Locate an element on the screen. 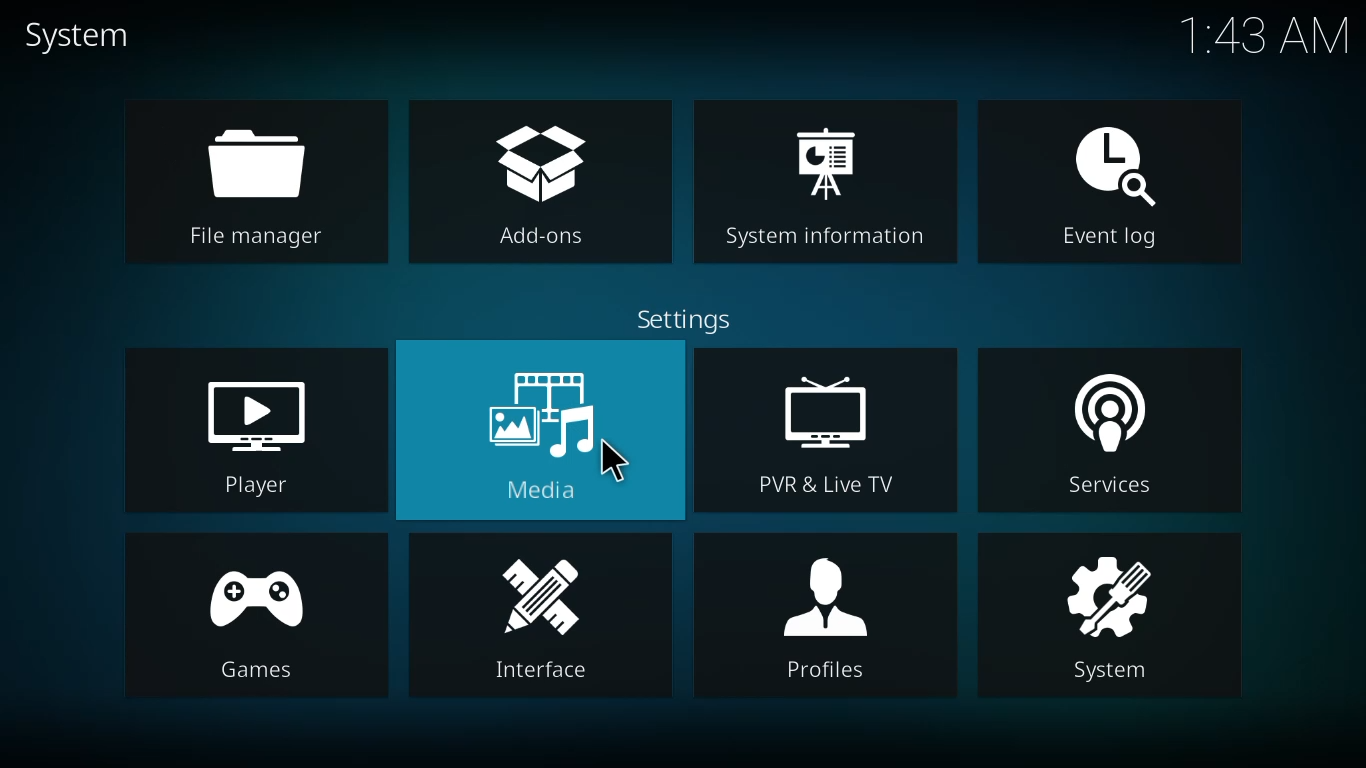 The height and width of the screenshot is (768, 1366). player is located at coordinates (260, 435).